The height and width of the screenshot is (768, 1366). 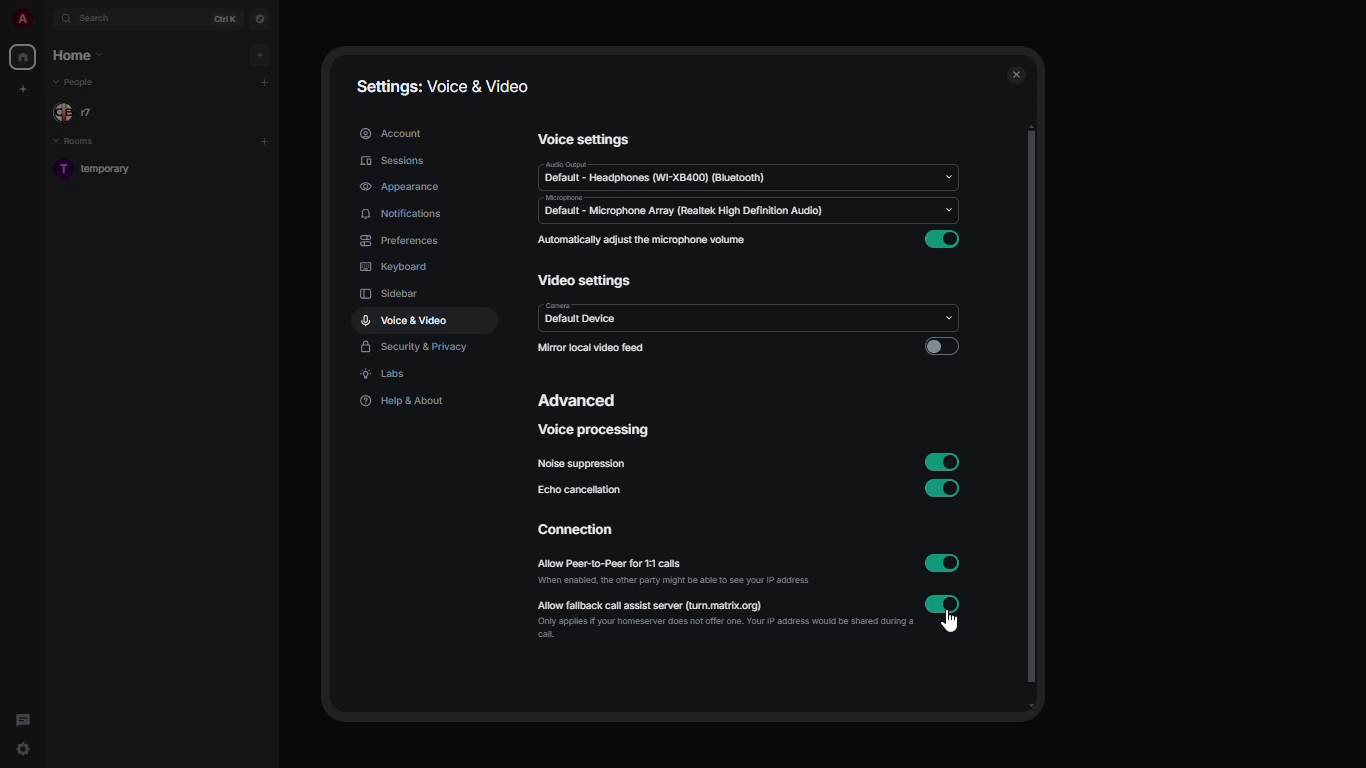 I want to click on rooms, so click(x=78, y=142).